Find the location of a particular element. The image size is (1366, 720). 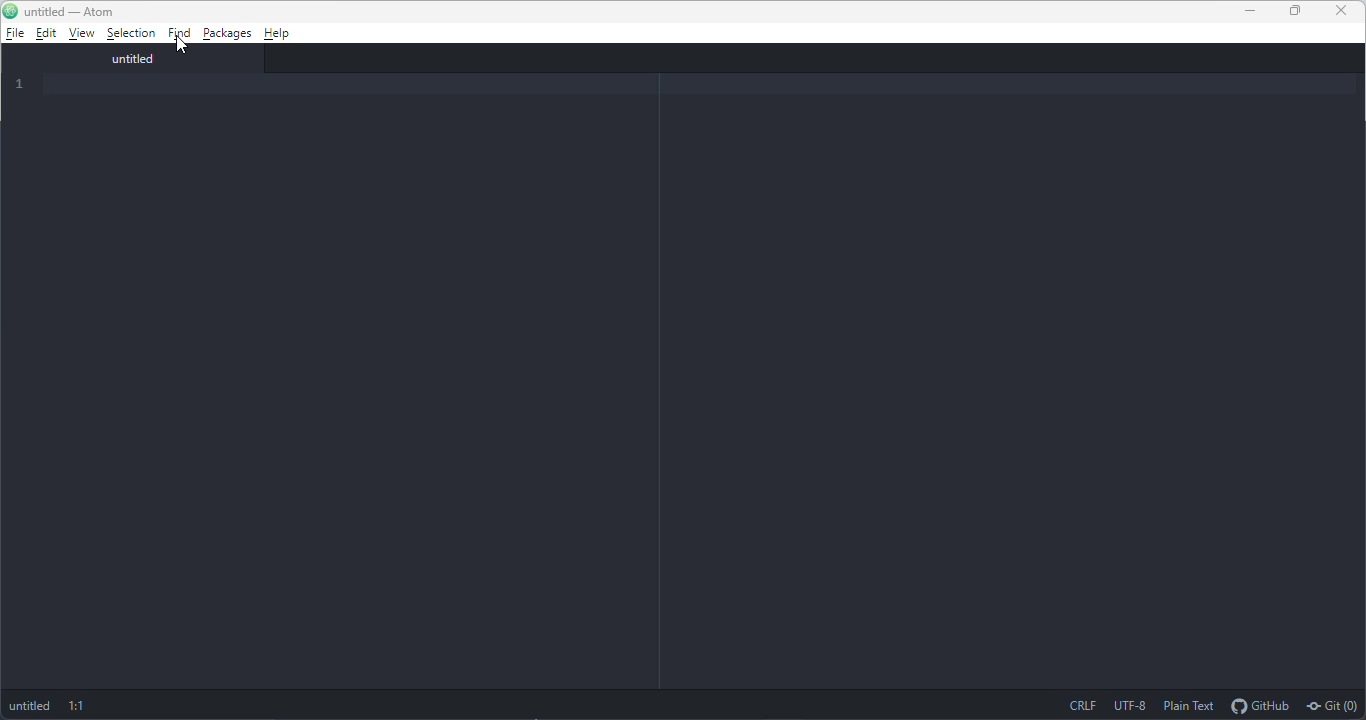

UTF-8 is located at coordinates (1128, 704).